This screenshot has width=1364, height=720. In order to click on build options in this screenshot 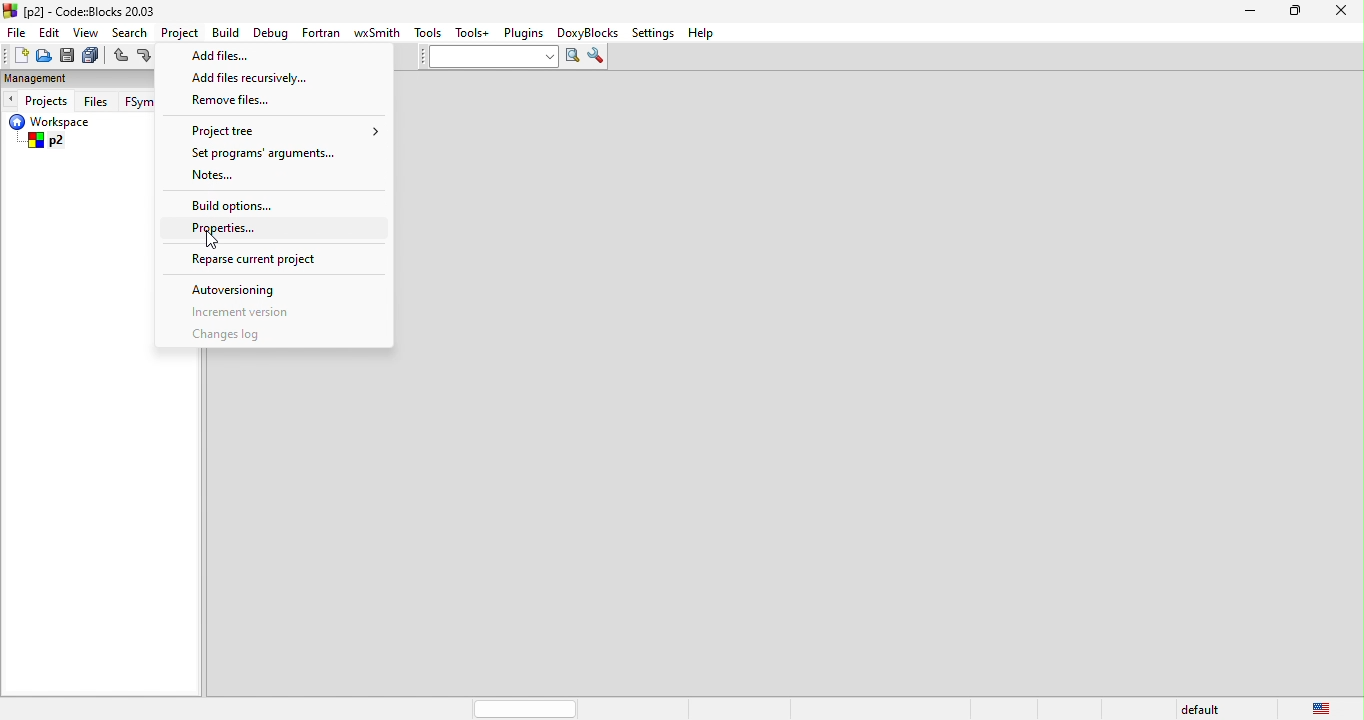, I will do `click(246, 204)`.